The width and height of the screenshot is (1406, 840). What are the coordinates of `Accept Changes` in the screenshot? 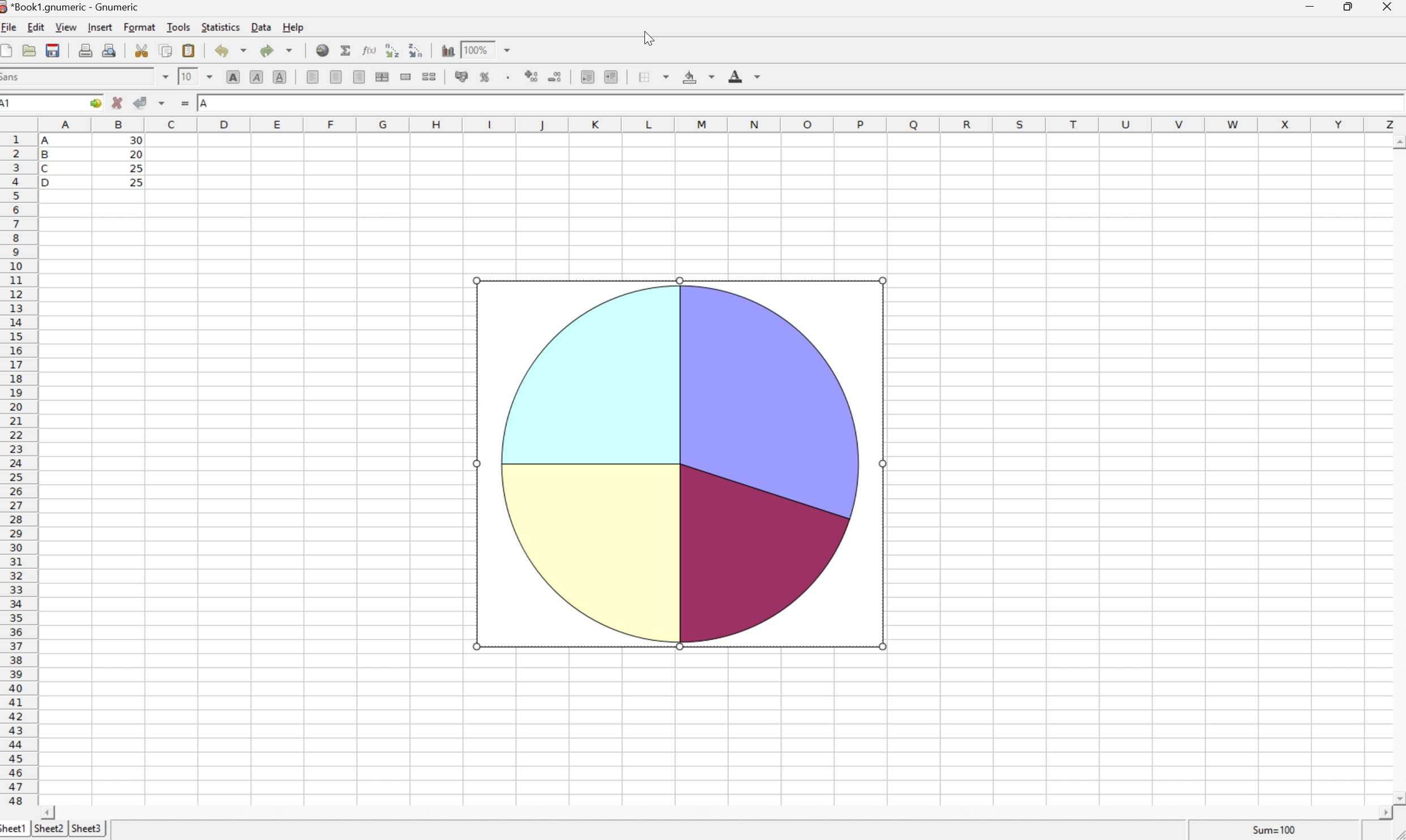 It's located at (139, 102).